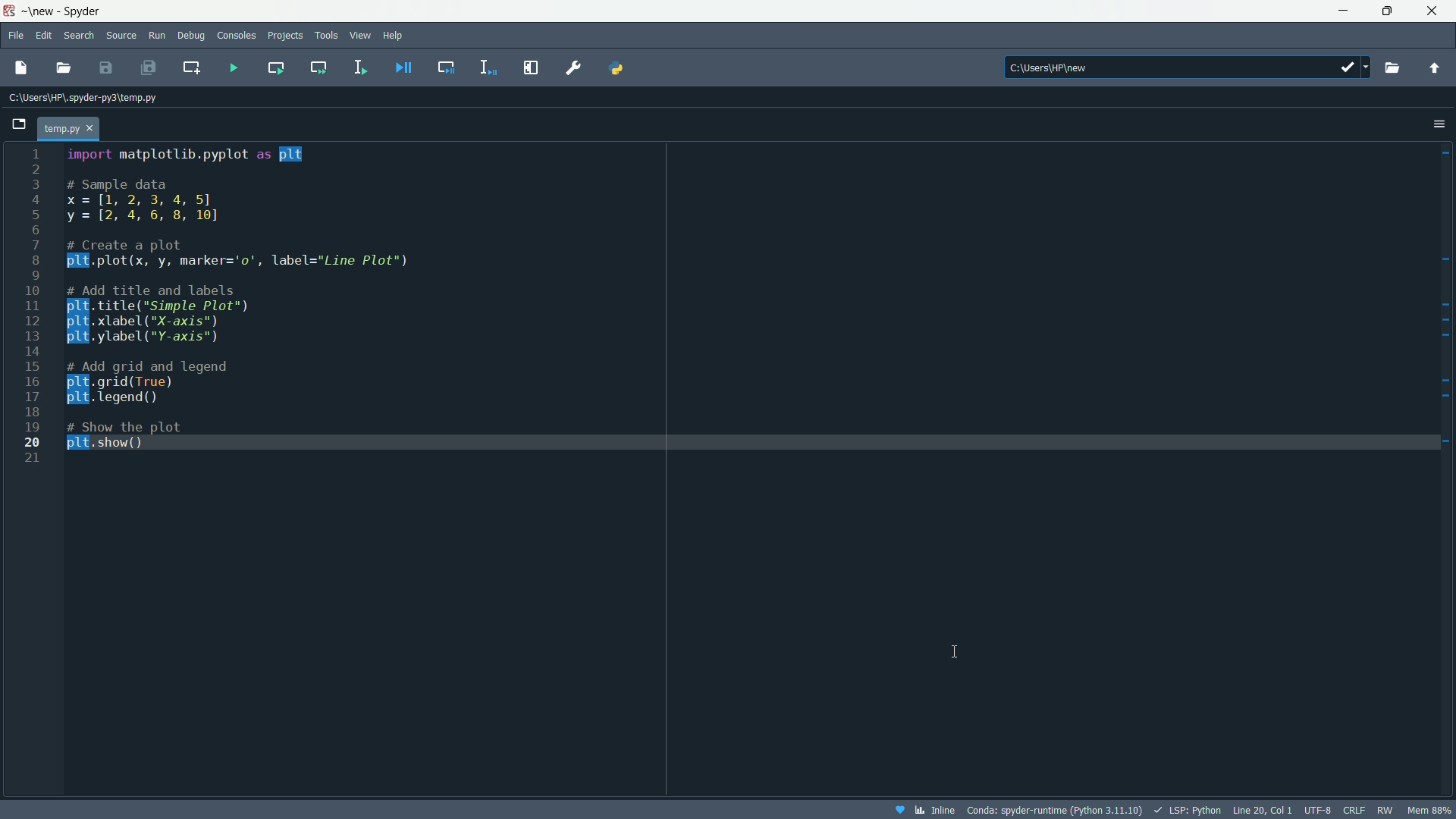  Describe the element at coordinates (106, 67) in the screenshot. I see `save file` at that location.